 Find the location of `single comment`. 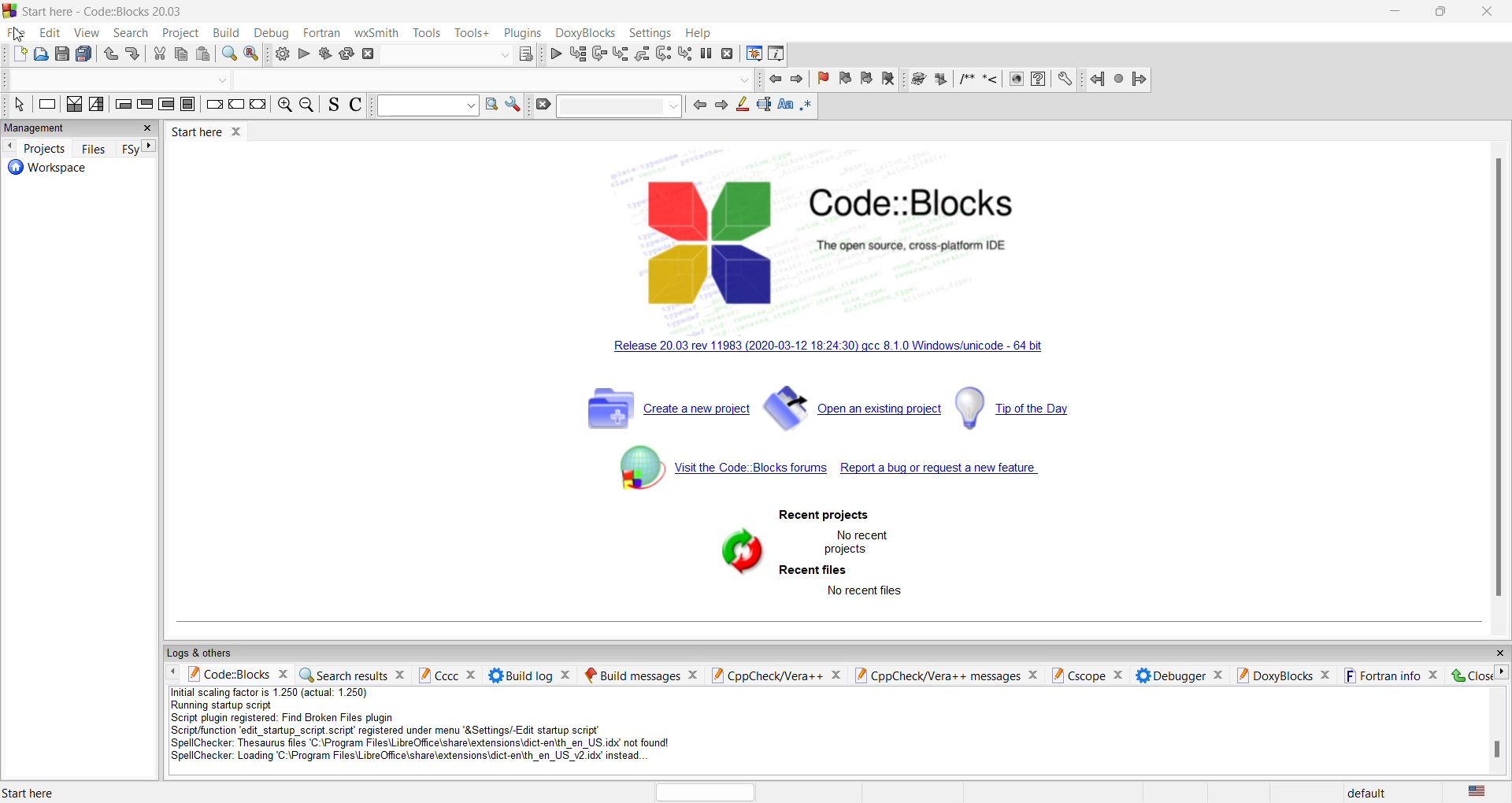

single comment is located at coordinates (990, 81).